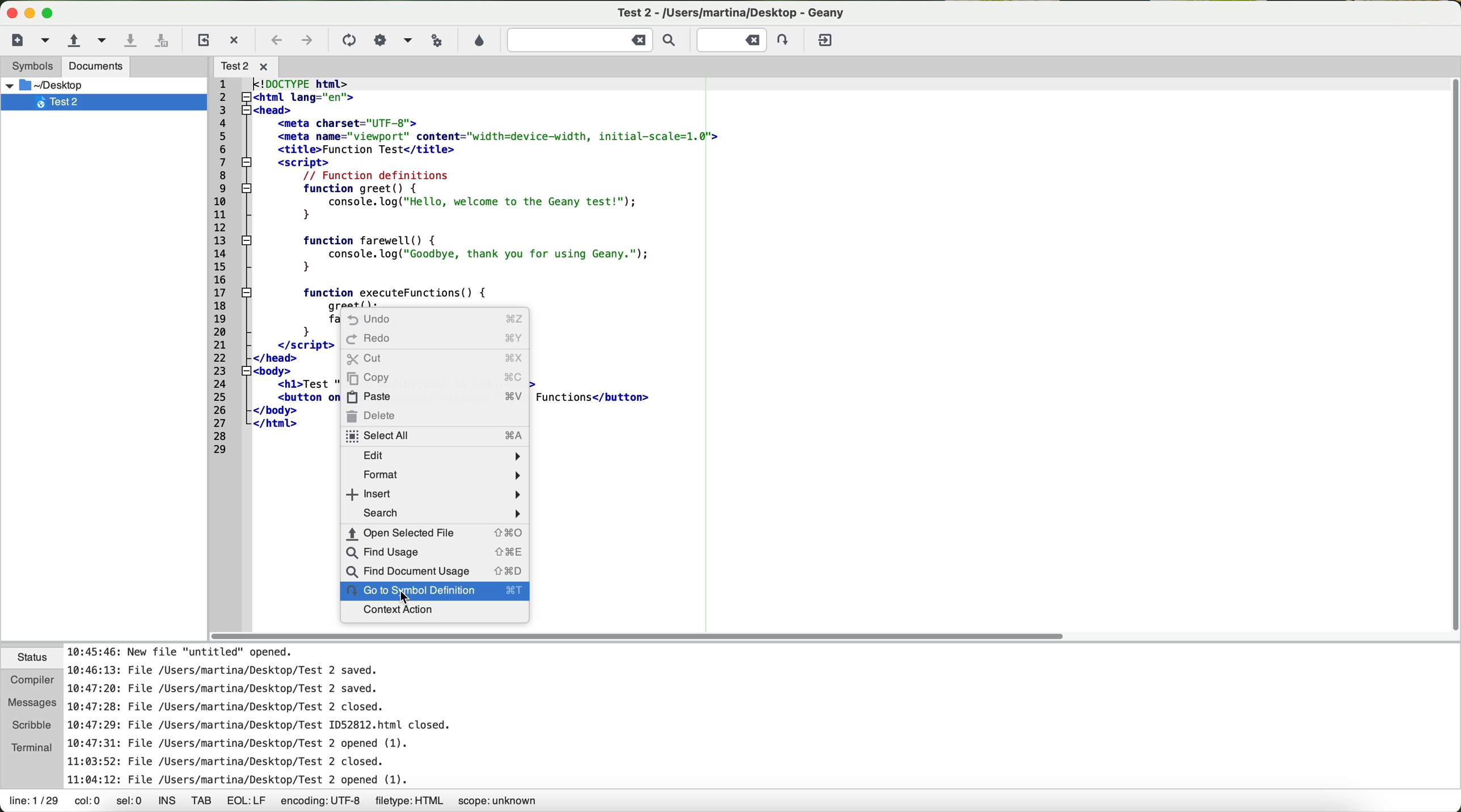  What do you see at coordinates (437, 455) in the screenshot?
I see `edit` at bounding box center [437, 455].